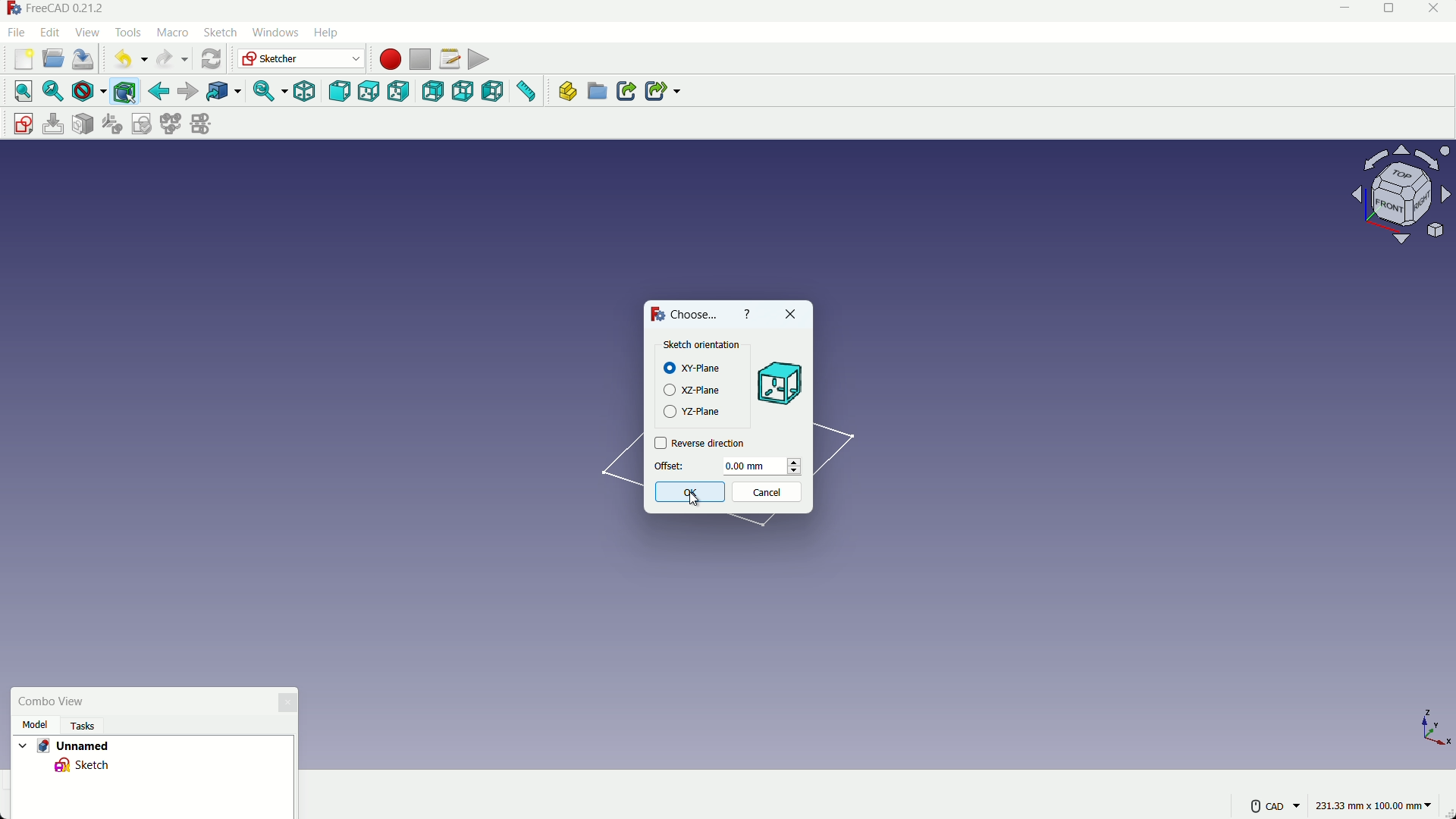  Describe the element at coordinates (596, 89) in the screenshot. I see `create group` at that location.